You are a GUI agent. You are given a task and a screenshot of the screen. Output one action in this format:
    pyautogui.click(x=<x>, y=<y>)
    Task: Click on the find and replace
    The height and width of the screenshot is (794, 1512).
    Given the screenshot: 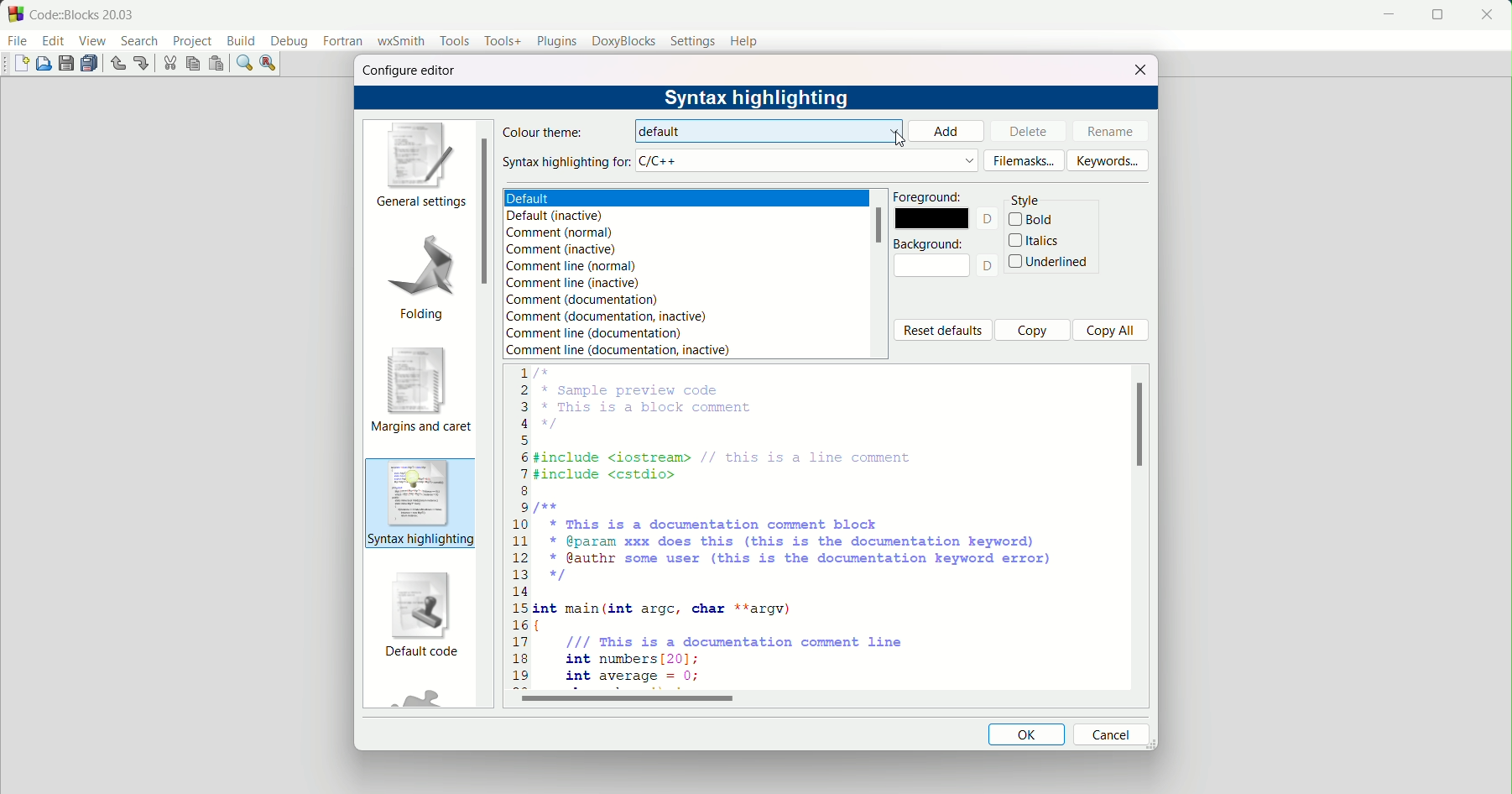 What is the action you would take?
    pyautogui.click(x=269, y=64)
    